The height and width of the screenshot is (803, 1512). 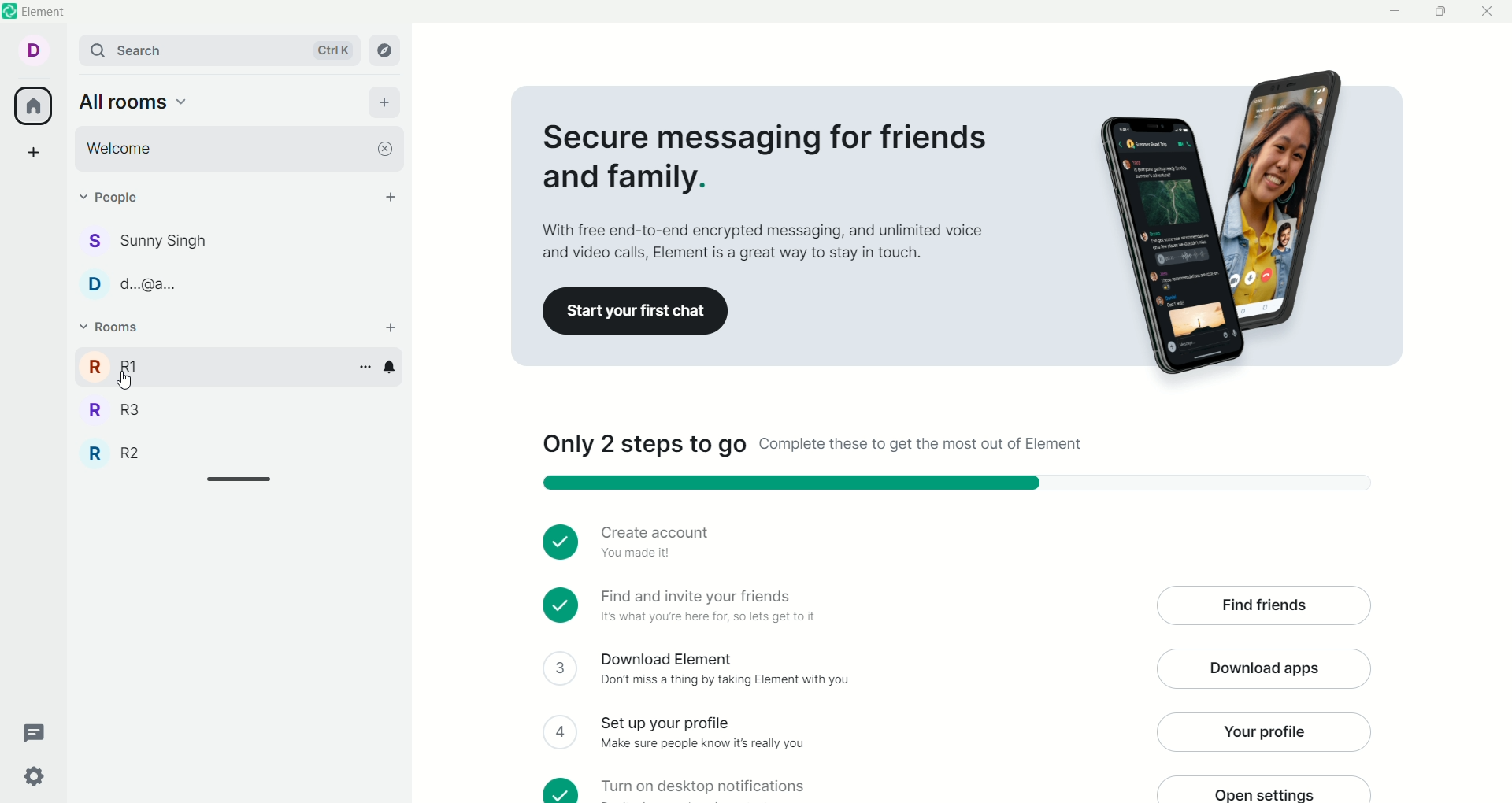 What do you see at coordinates (724, 670) in the screenshot?
I see `Indicates step 3: Download Element` at bounding box center [724, 670].